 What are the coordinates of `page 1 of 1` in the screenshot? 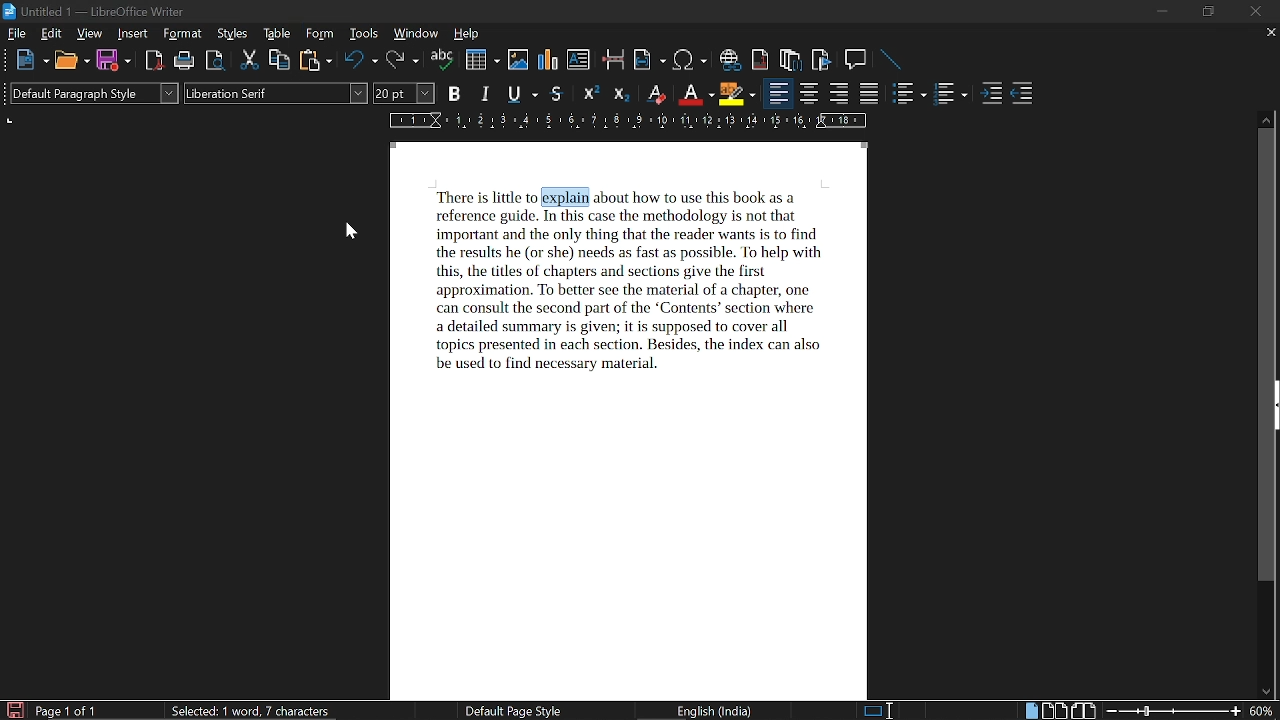 It's located at (67, 711).